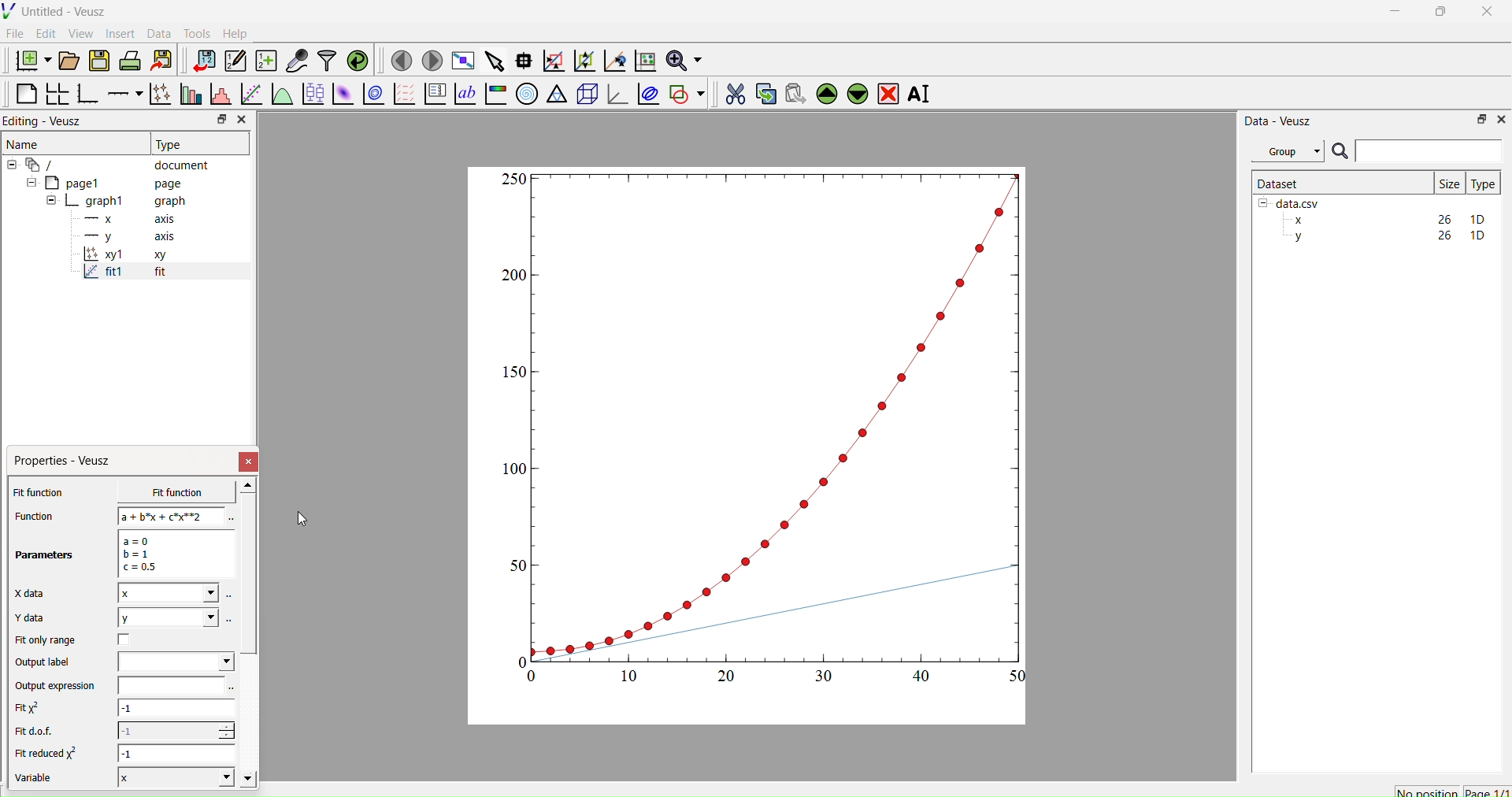  Describe the element at coordinates (230, 619) in the screenshot. I see `Select using dataset browser` at that location.